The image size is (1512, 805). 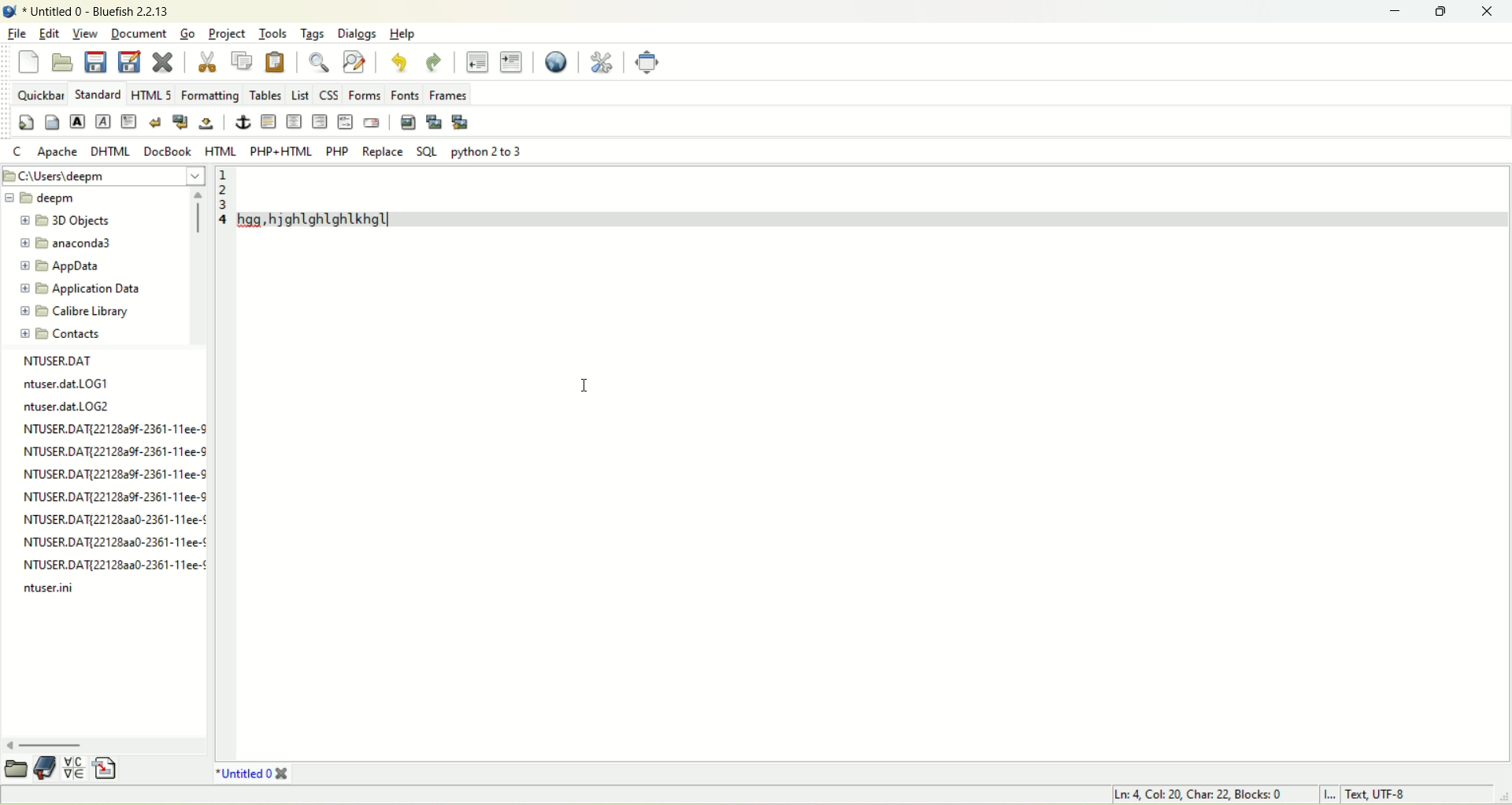 What do you see at coordinates (98, 95) in the screenshot?
I see `standard` at bounding box center [98, 95].